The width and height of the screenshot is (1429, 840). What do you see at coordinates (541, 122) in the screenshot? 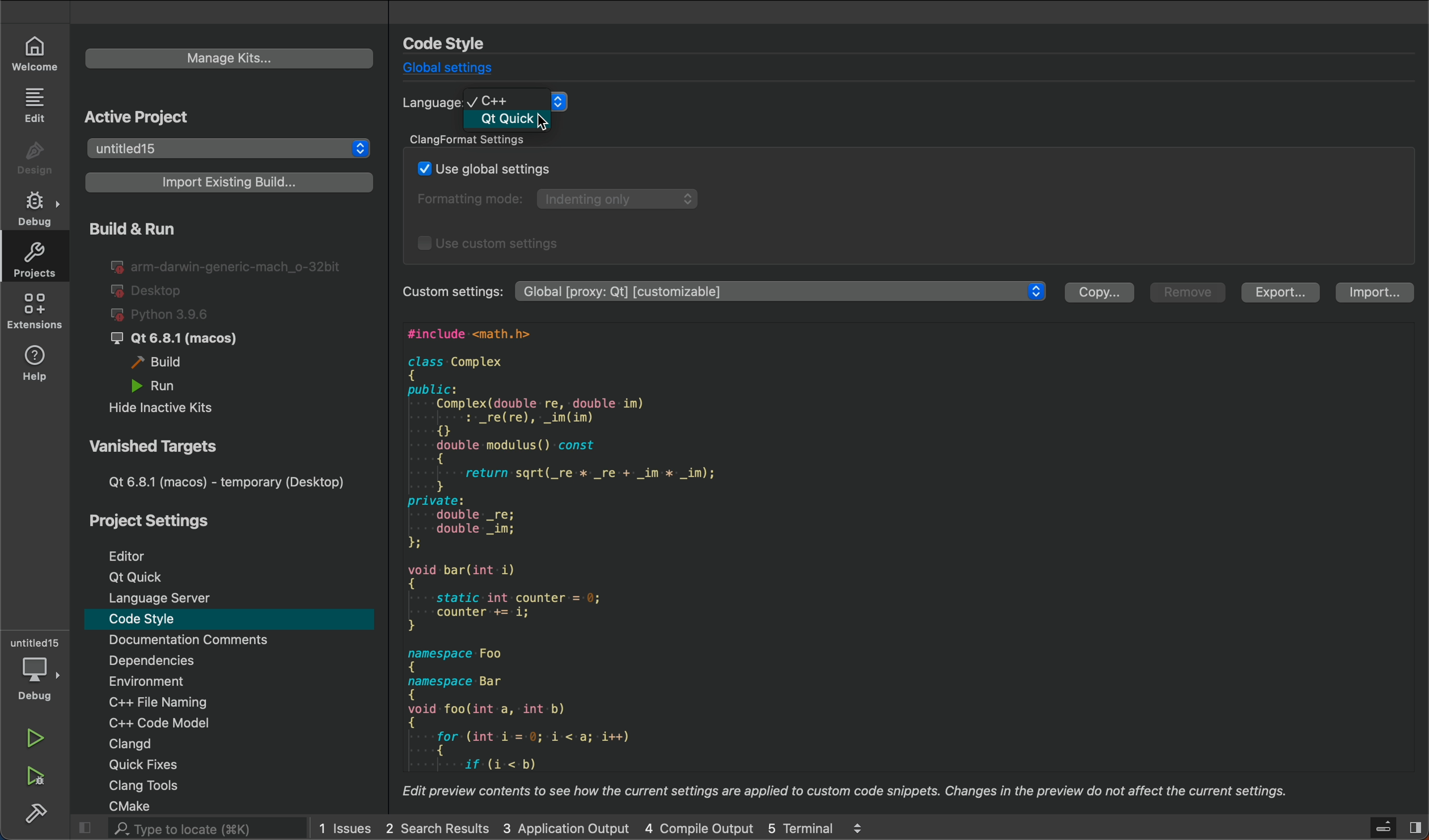
I see `cursor` at bounding box center [541, 122].